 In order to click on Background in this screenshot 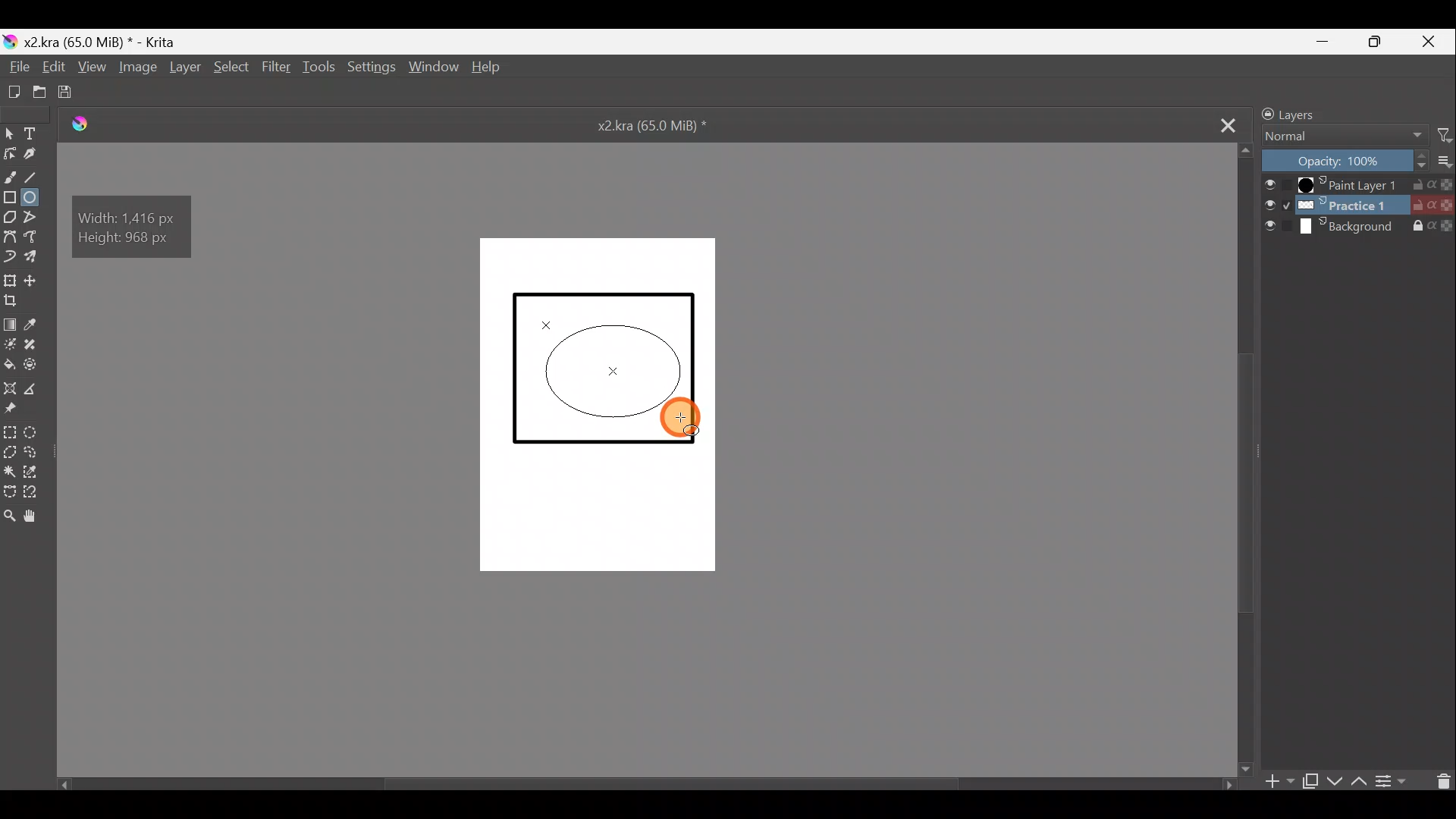, I will do `click(1361, 231)`.